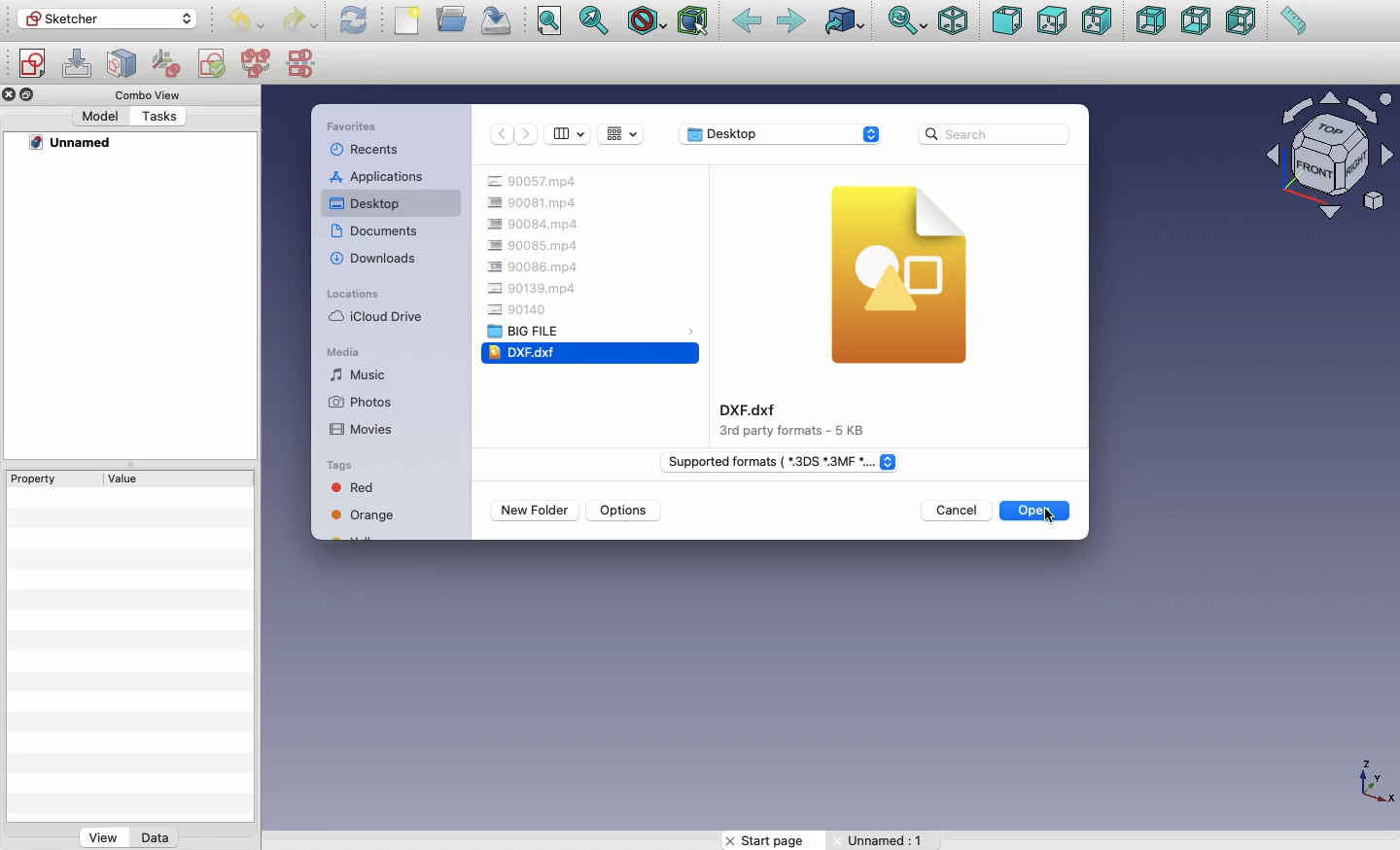 The image size is (1400, 850). What do you see at coordinates (370, 150) in the screenshot?
I see `Recents` at bounding box center [370, 150].